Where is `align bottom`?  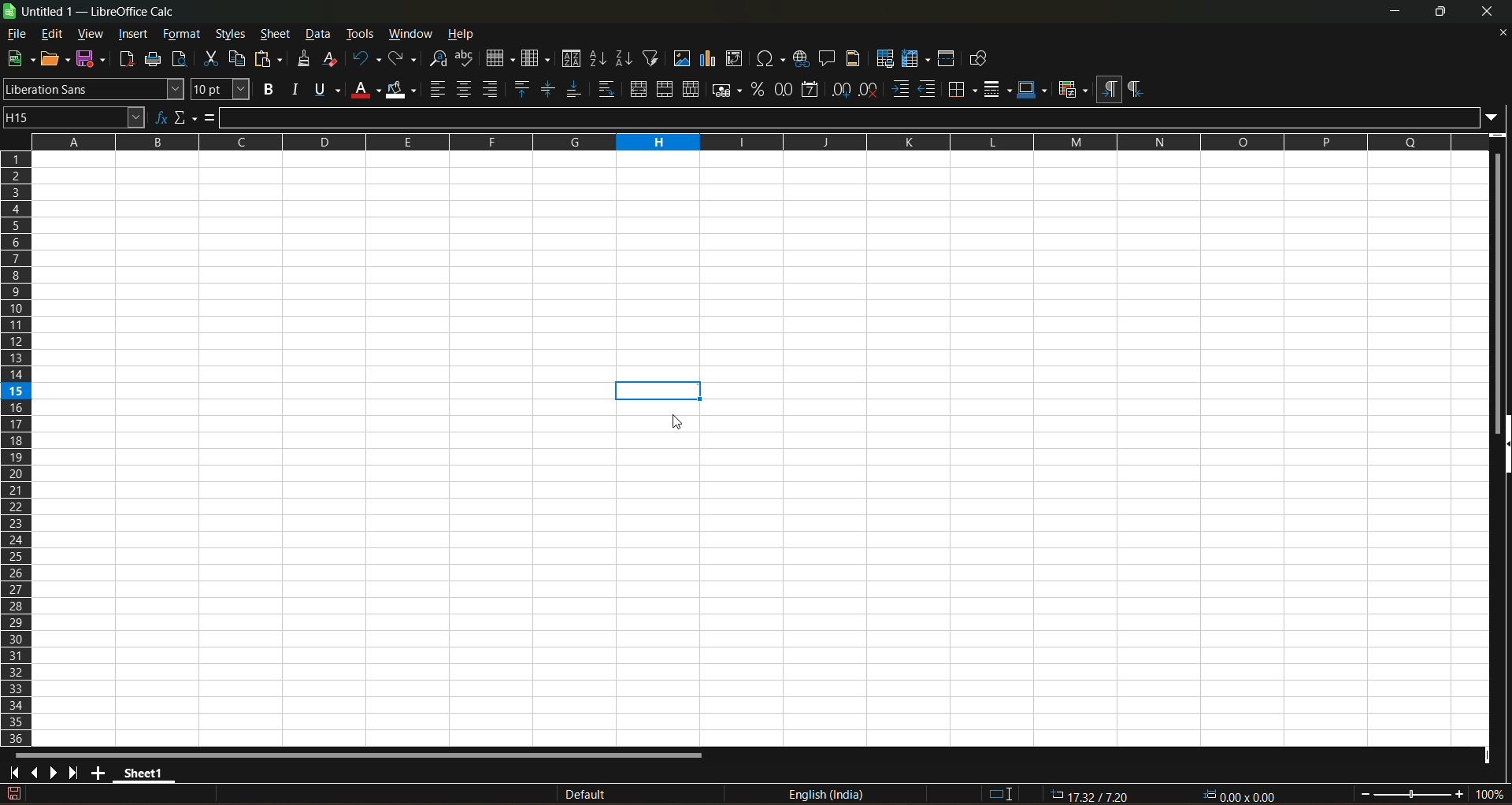 align bottom is located at coordinates (576, 89).